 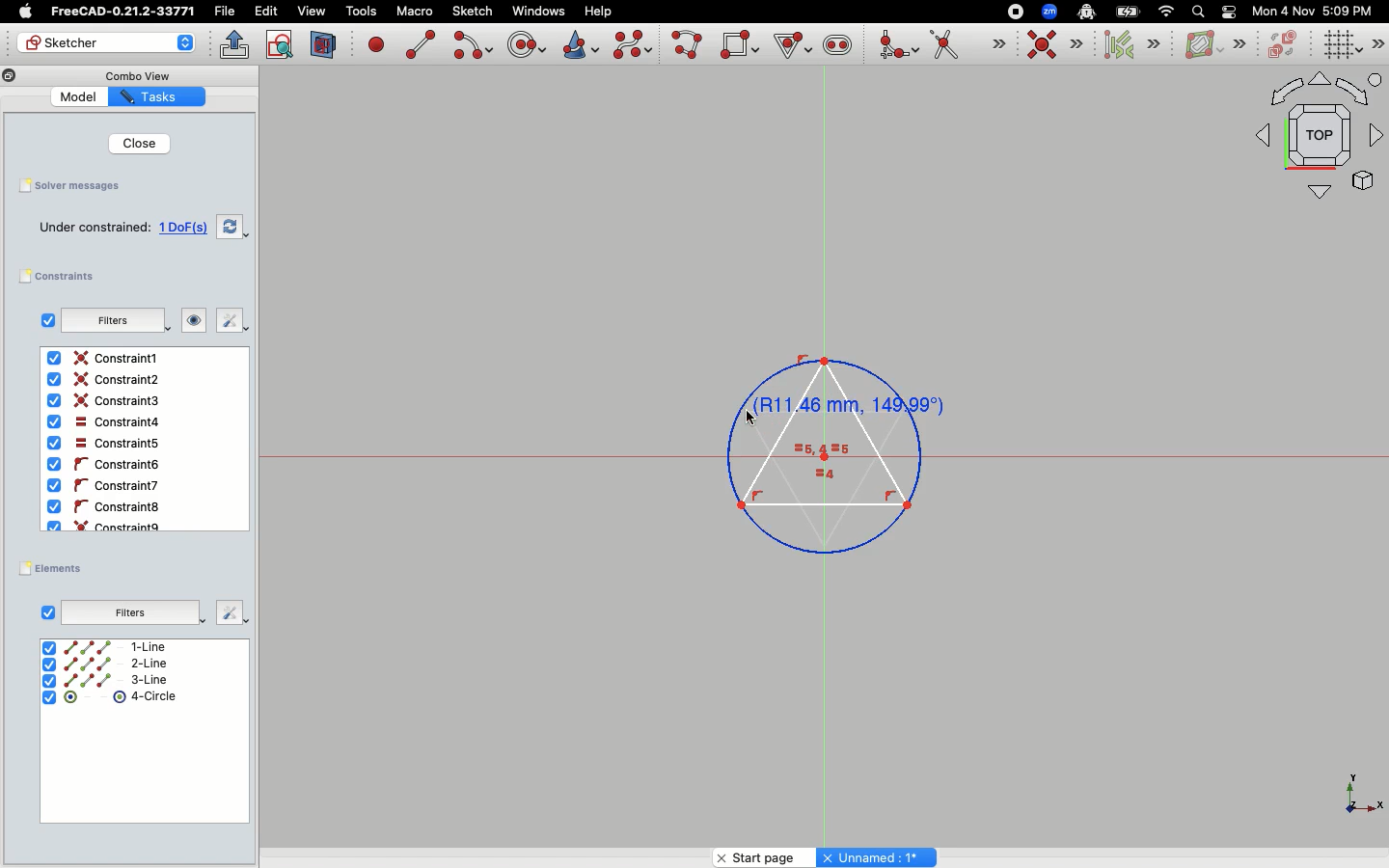 I want to click on Constraint6, so click(x=108, y=485).